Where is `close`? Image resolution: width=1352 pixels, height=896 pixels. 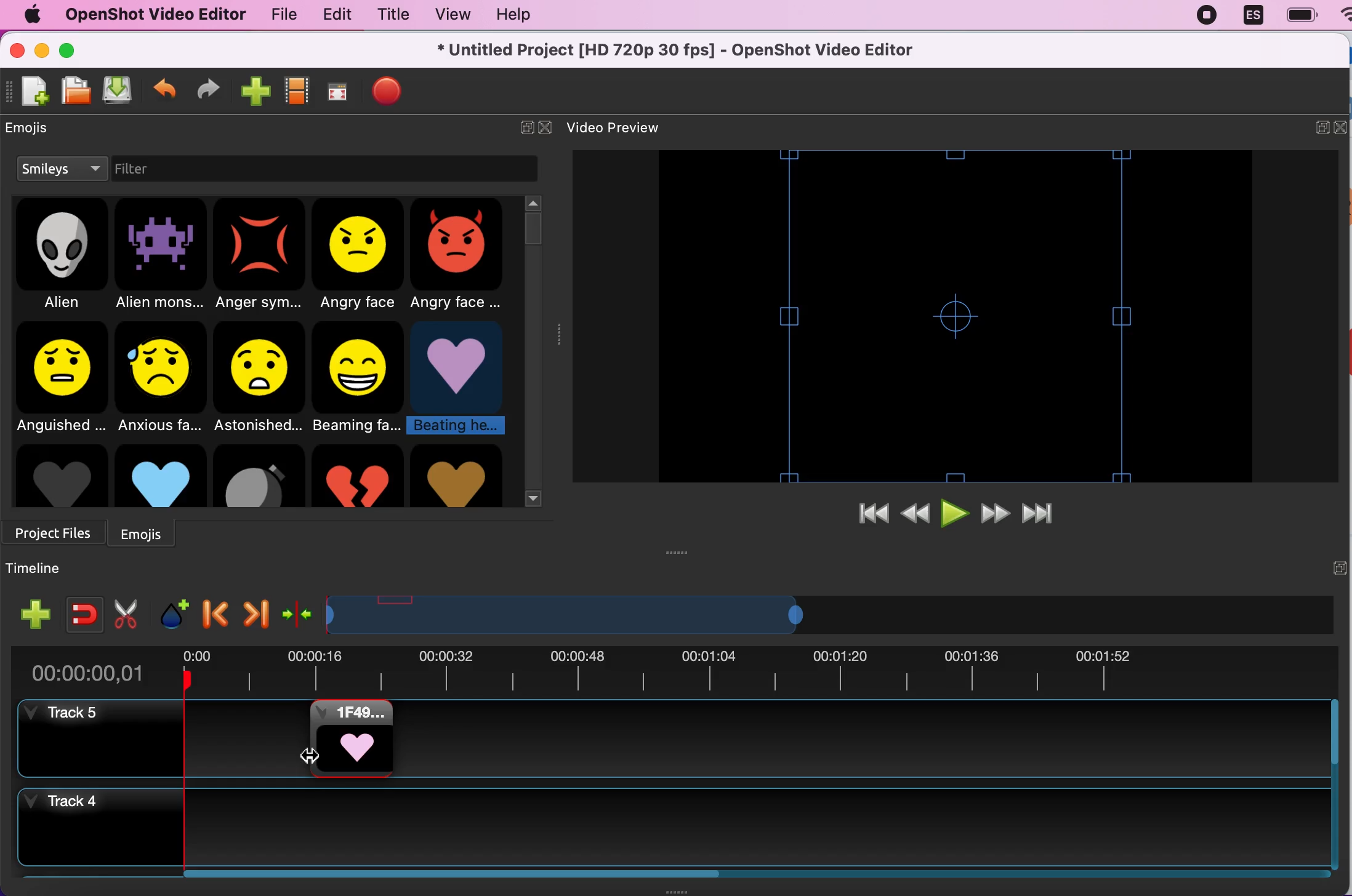
close is located at coordinates (16, 54).